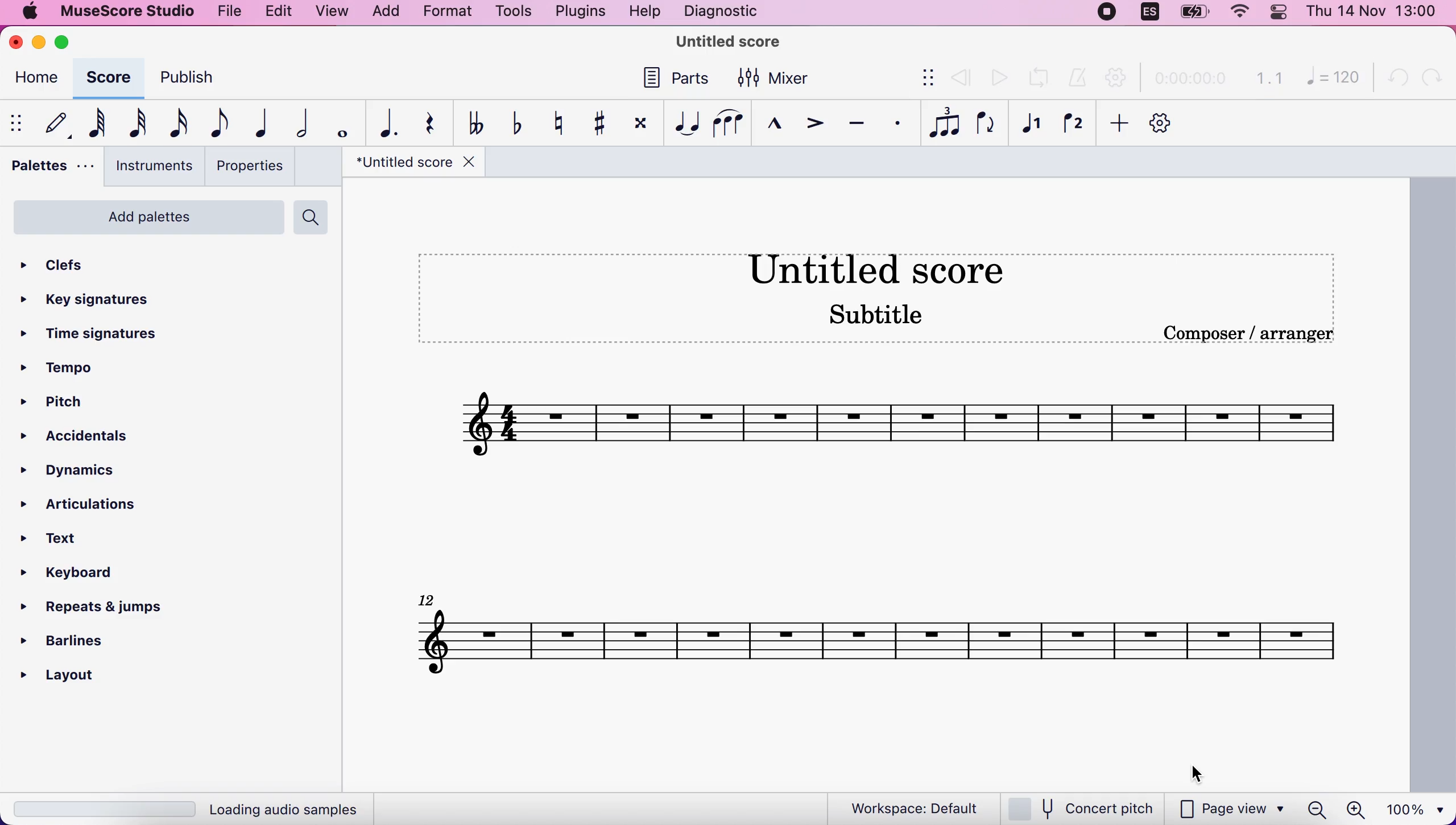 The height and width of the screenshot is (825, 1456). What do you see at coordinates (638, 123) in the screenshot?
I see `toggle double sharp` at bounding box center [638, 123].